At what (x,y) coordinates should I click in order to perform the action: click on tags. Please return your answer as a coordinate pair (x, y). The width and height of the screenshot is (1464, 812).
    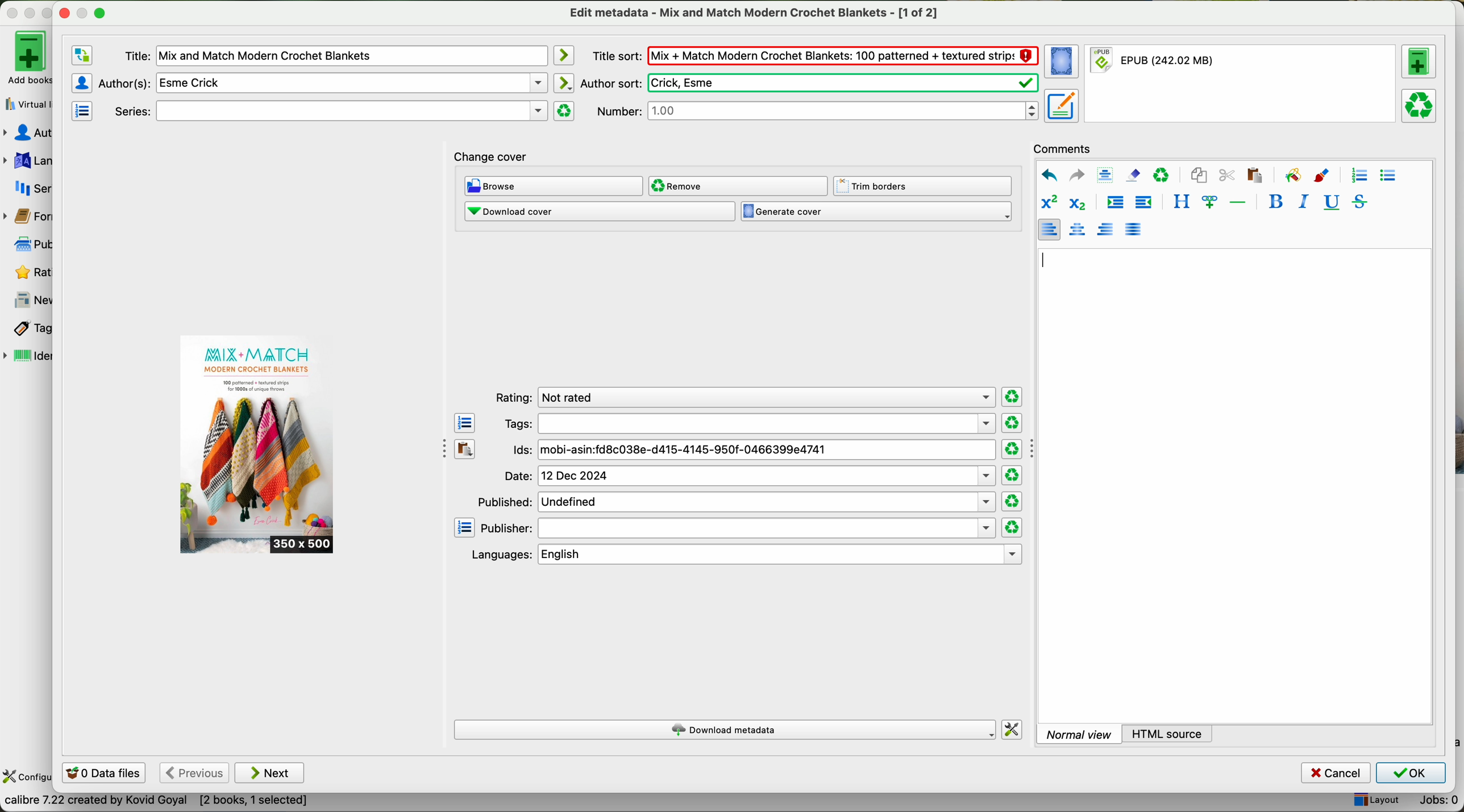
    Looking at the image, I should click on (27, 329).